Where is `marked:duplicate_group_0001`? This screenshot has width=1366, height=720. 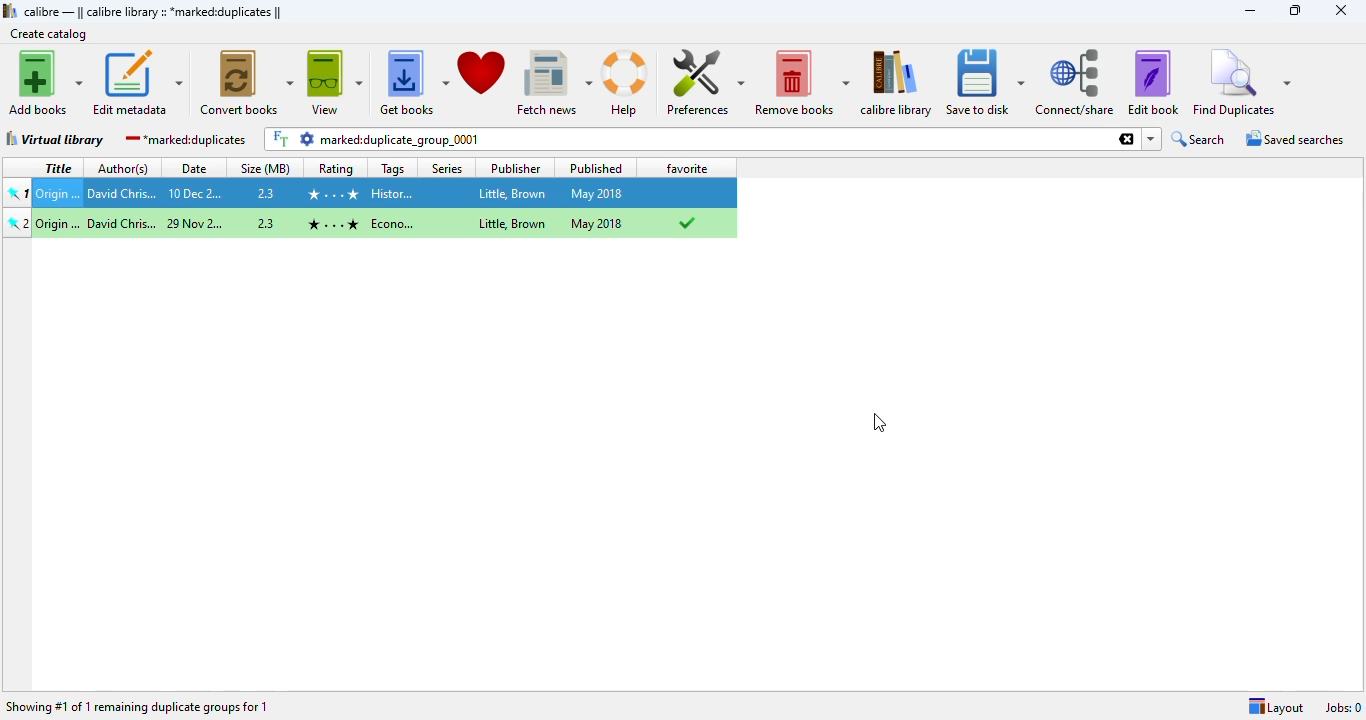
marked:duplicate_group_0001 is located at coordinates (703, 139).